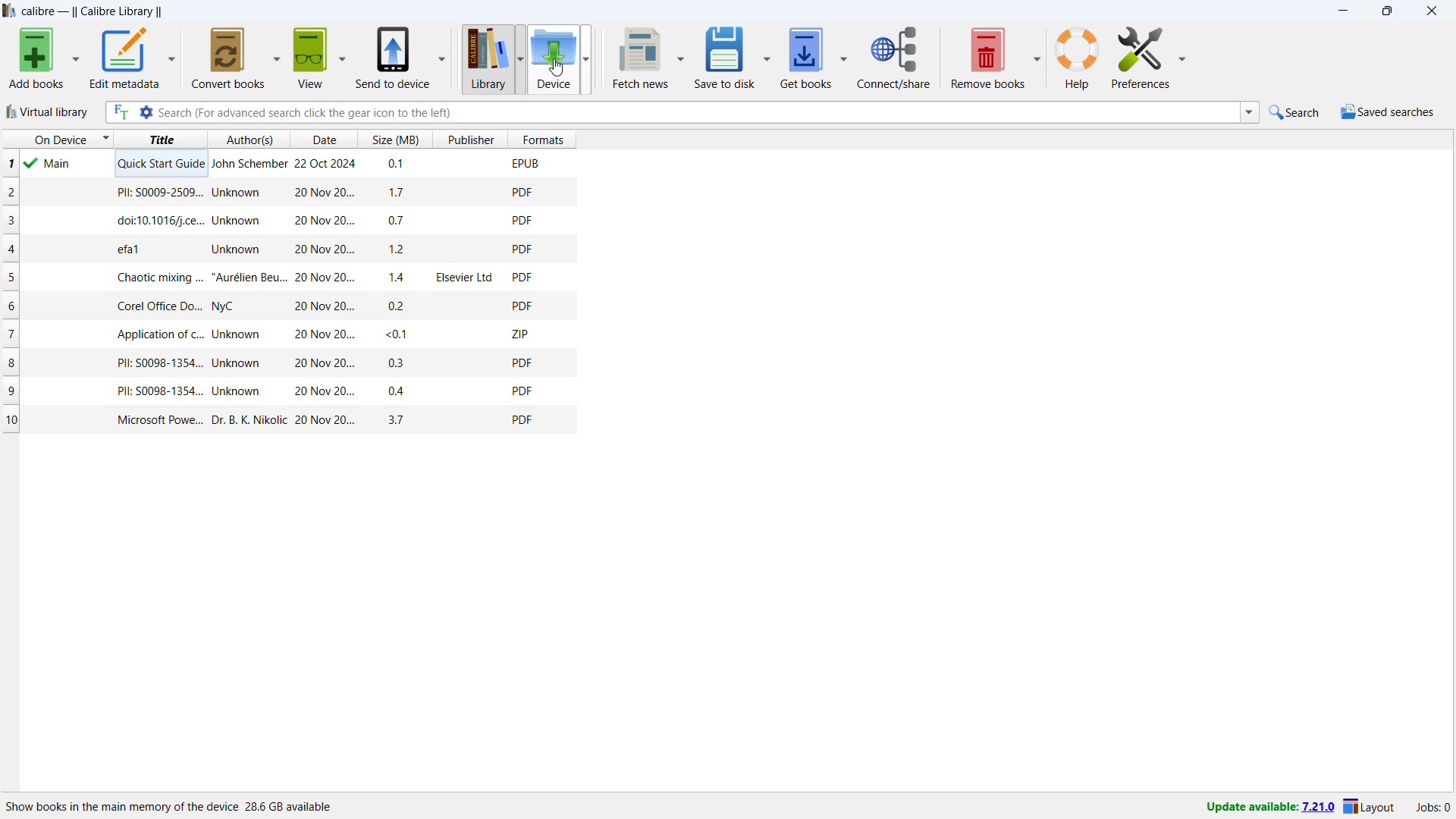 This screenshot has height=819, width=1456. Describe the element at coordinates (1181, 55) in the screenshot. I see `preferences options` at that location.